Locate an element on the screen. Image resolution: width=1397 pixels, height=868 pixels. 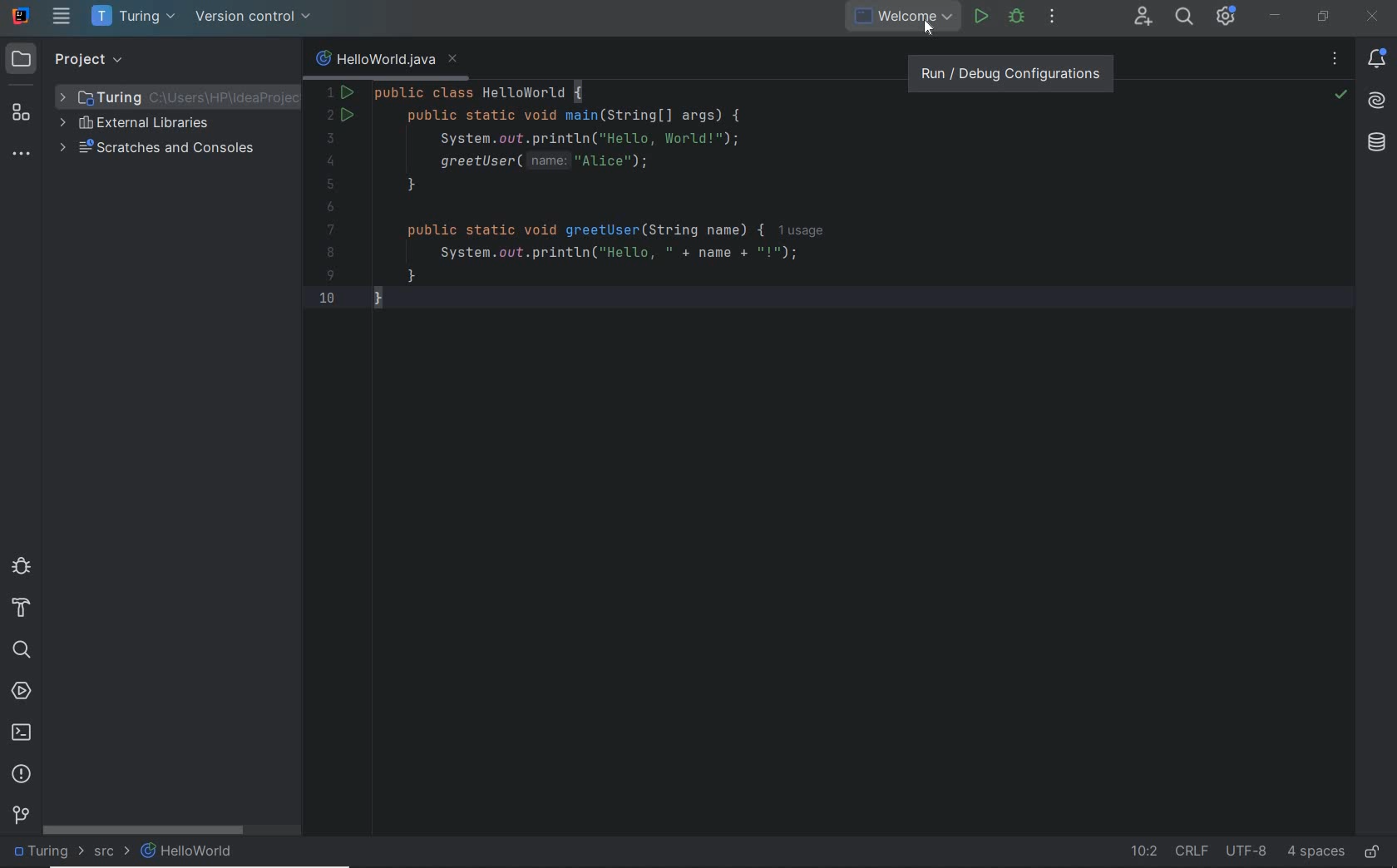
search everywhere is located at coordinates (1185, 18).